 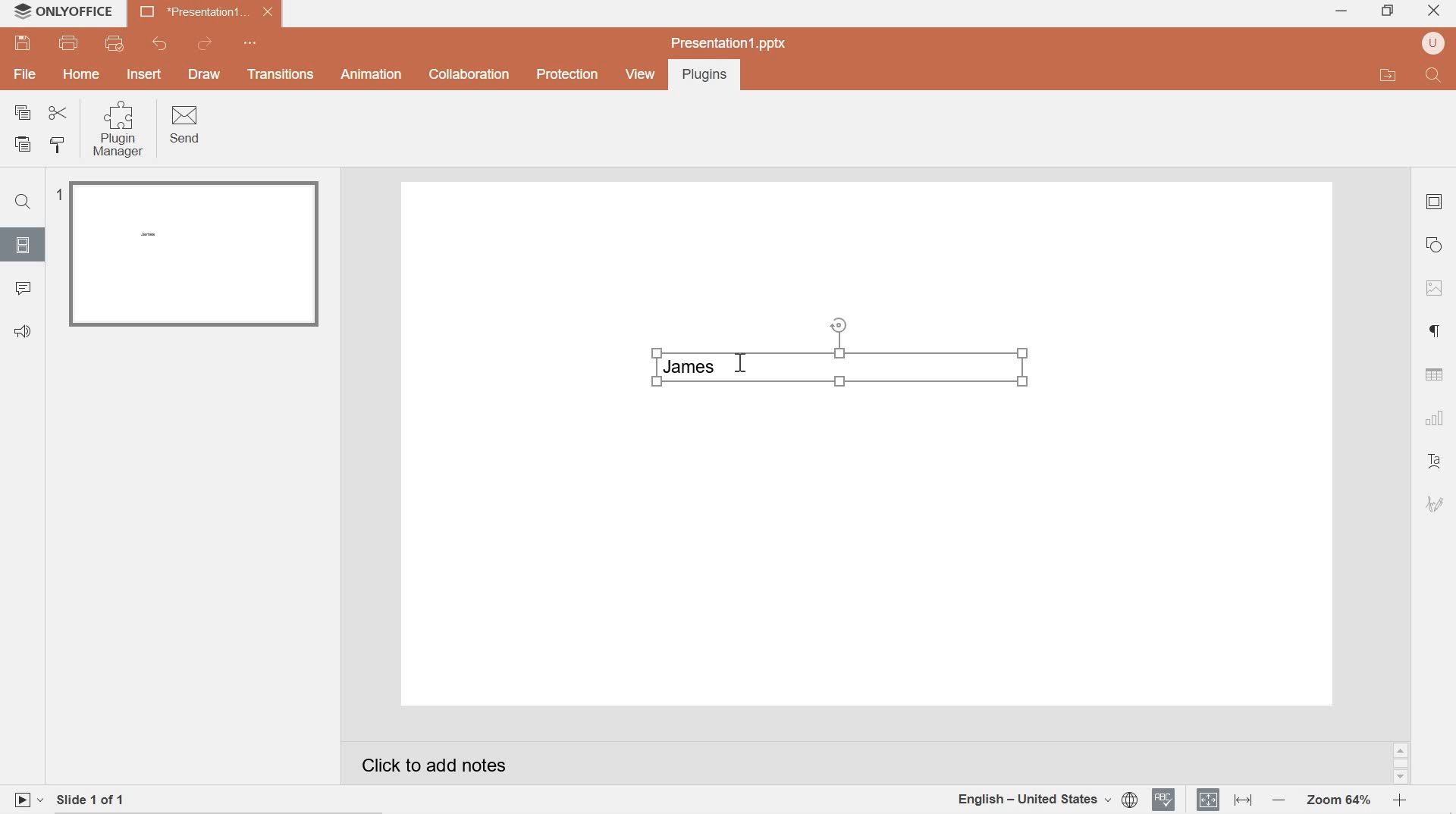 I want to click on presentation 1, so click(x=206, y=12).